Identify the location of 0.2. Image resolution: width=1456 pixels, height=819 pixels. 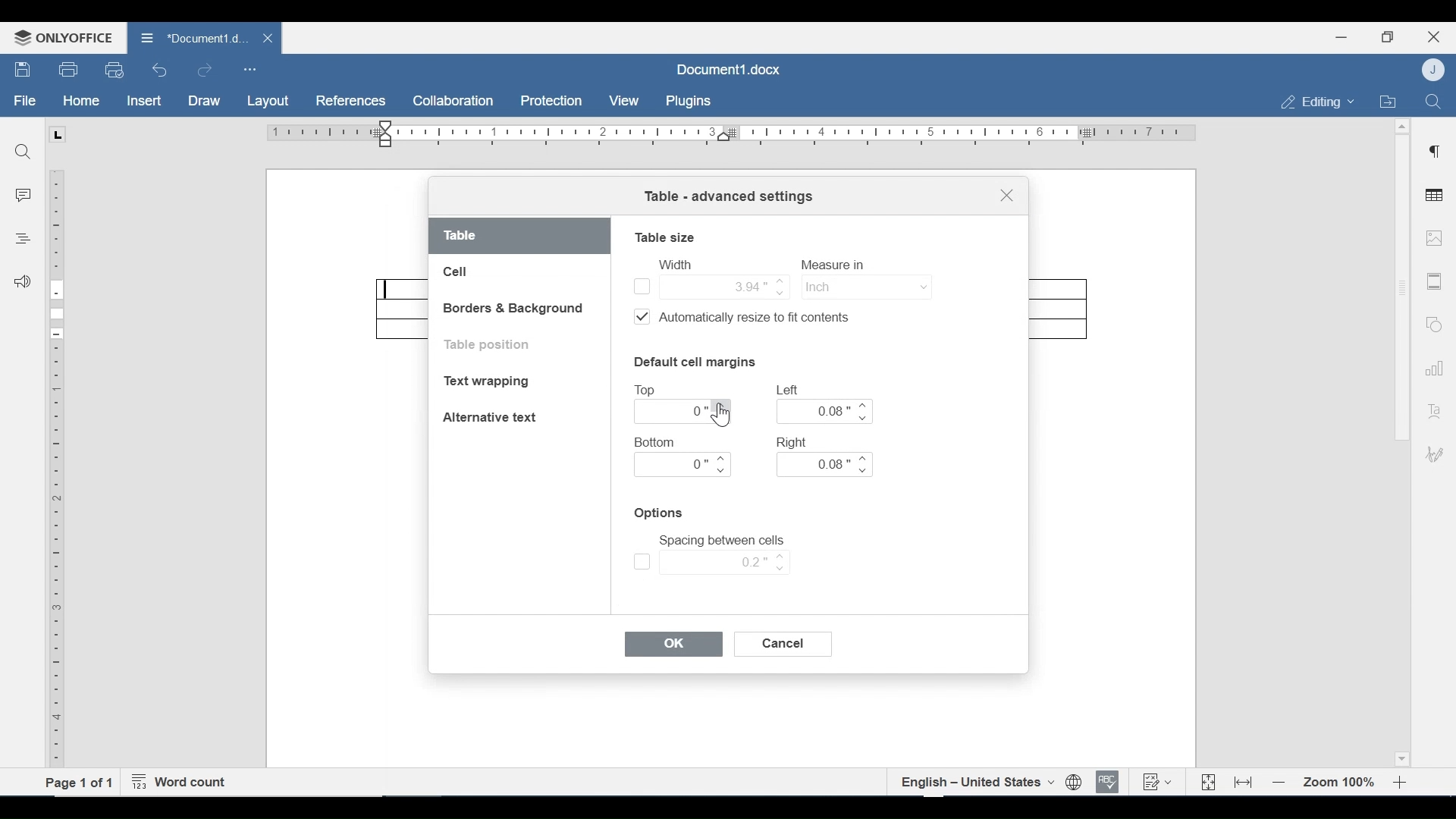
(711, 562).